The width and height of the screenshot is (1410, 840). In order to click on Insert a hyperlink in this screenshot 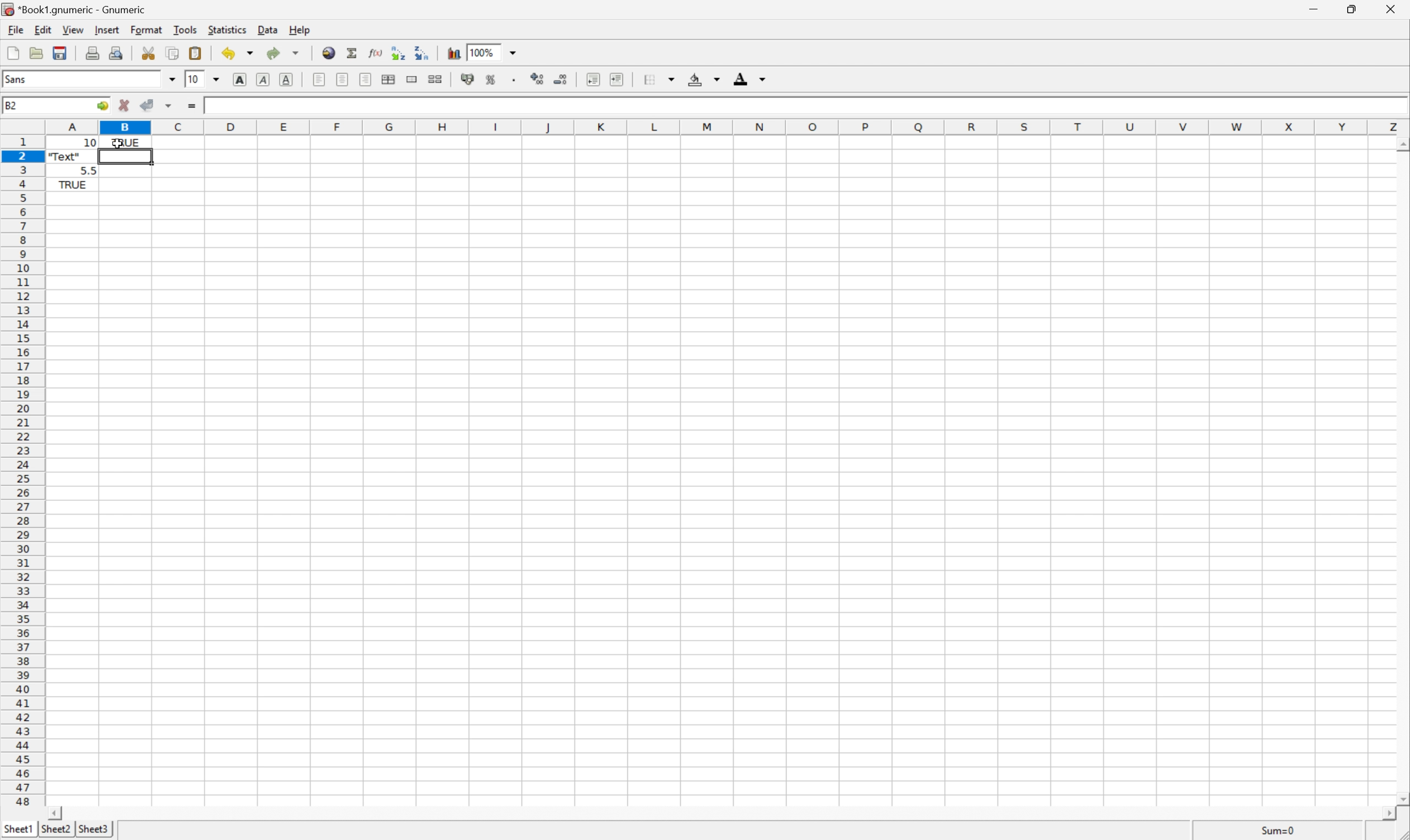, I will do `click(327, 53)`.